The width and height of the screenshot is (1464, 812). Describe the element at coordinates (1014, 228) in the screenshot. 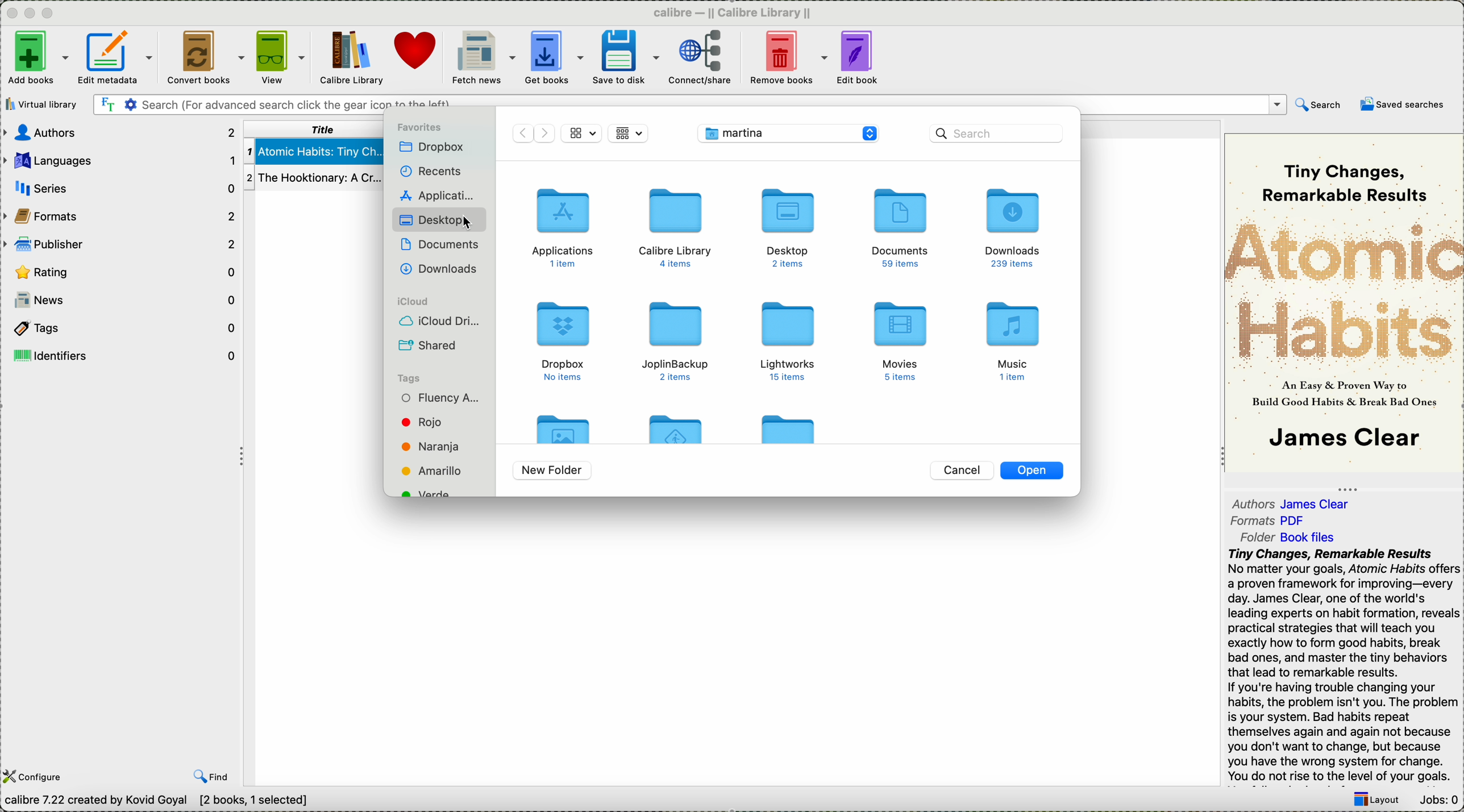

I see `downloads` at that location.